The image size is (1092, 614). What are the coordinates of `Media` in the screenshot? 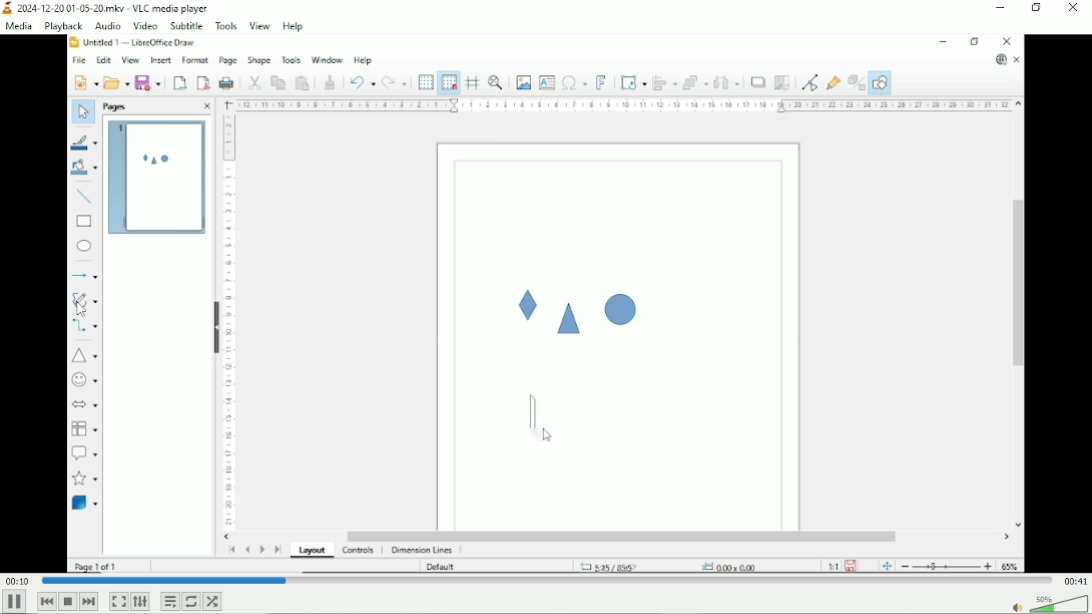 It's located at (18, 27).